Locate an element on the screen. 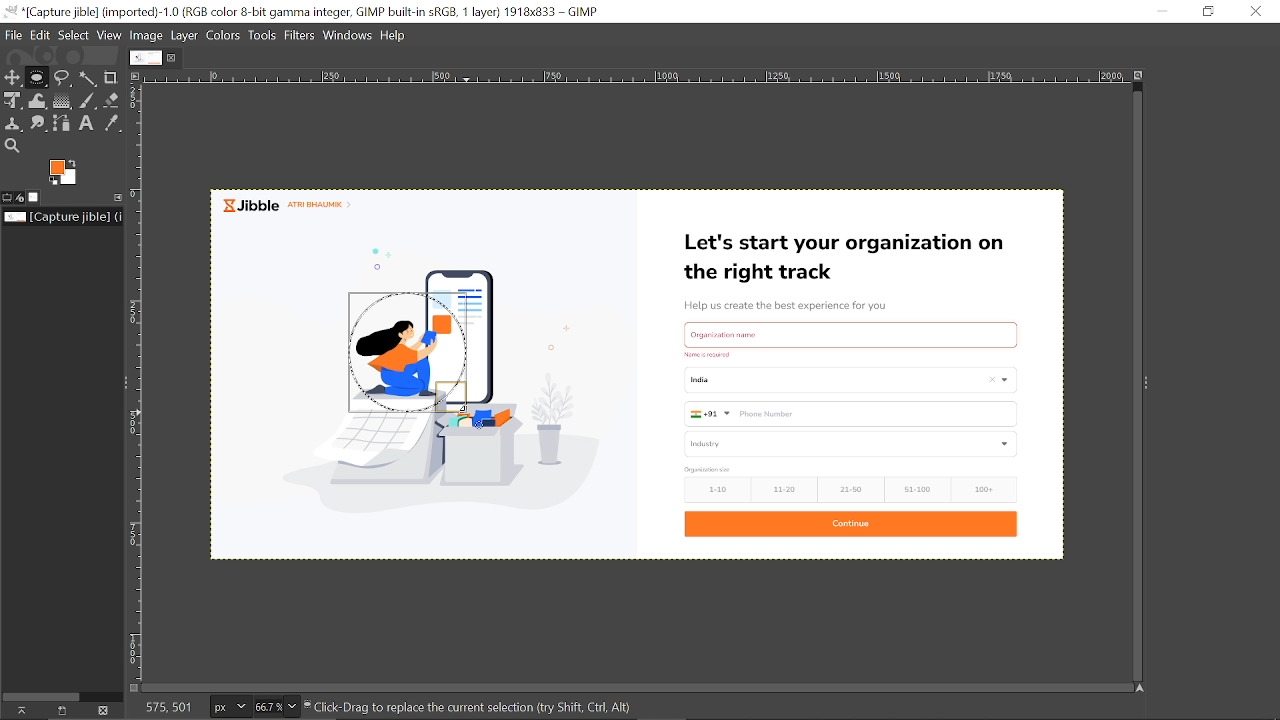 This screenshot has height=720, width=1280. Zoom image when window size change is located at coordinates (1136, 76).